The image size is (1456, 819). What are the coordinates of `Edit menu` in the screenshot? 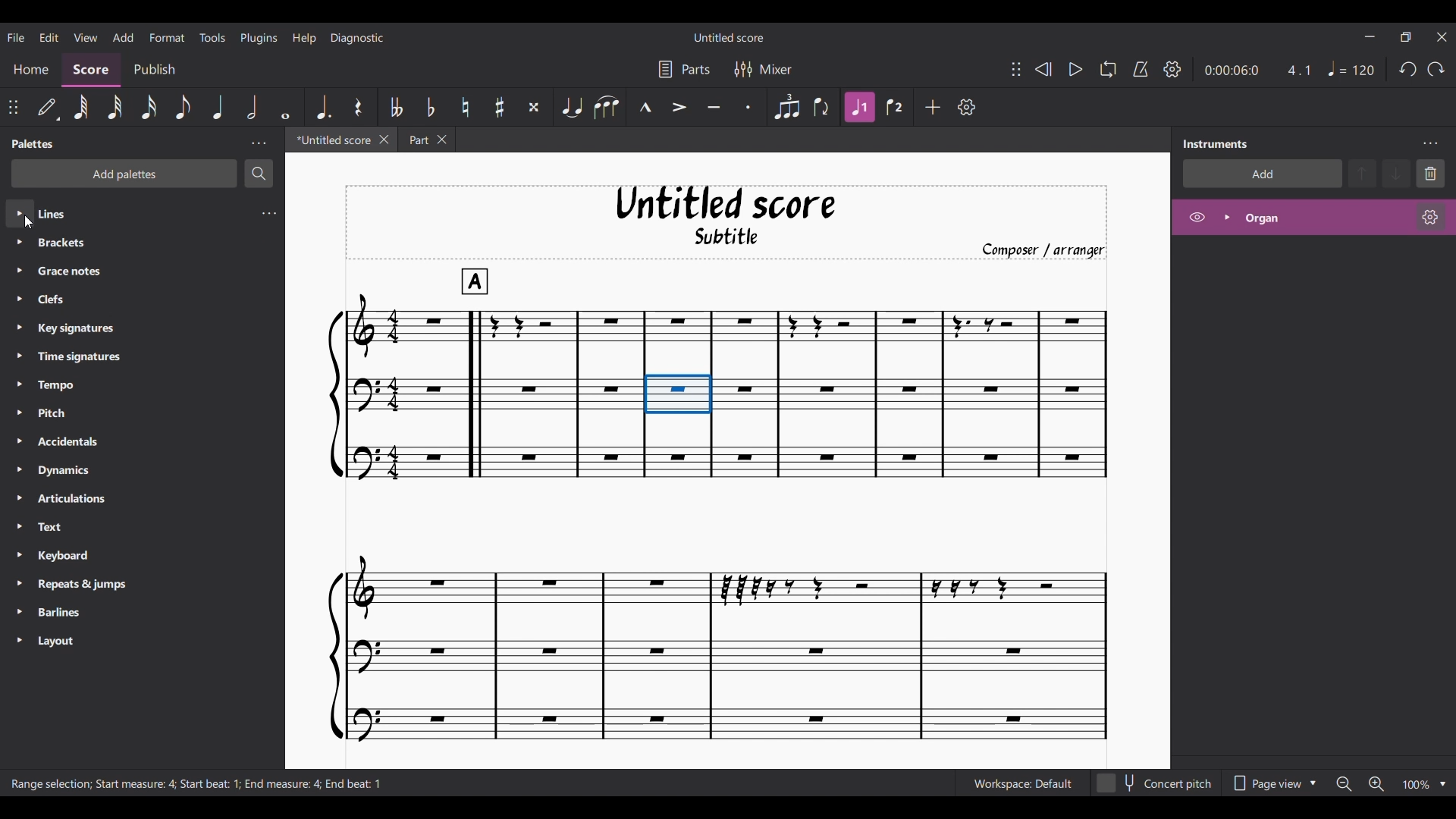 It's located at (49, 36).